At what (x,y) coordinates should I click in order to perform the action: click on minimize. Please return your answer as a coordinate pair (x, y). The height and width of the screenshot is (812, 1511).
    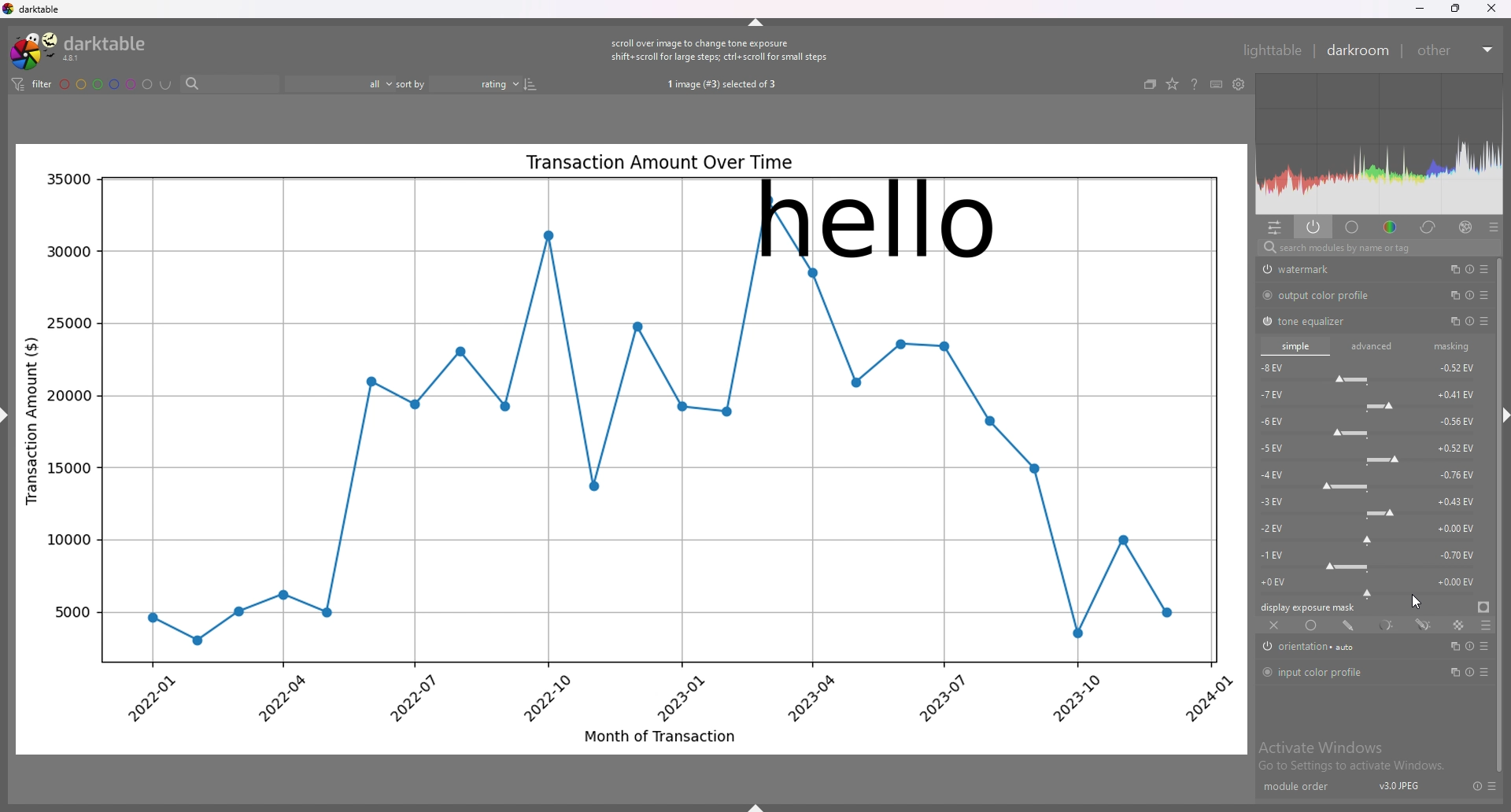
    Looking at the image, I should click on (1420, 9).